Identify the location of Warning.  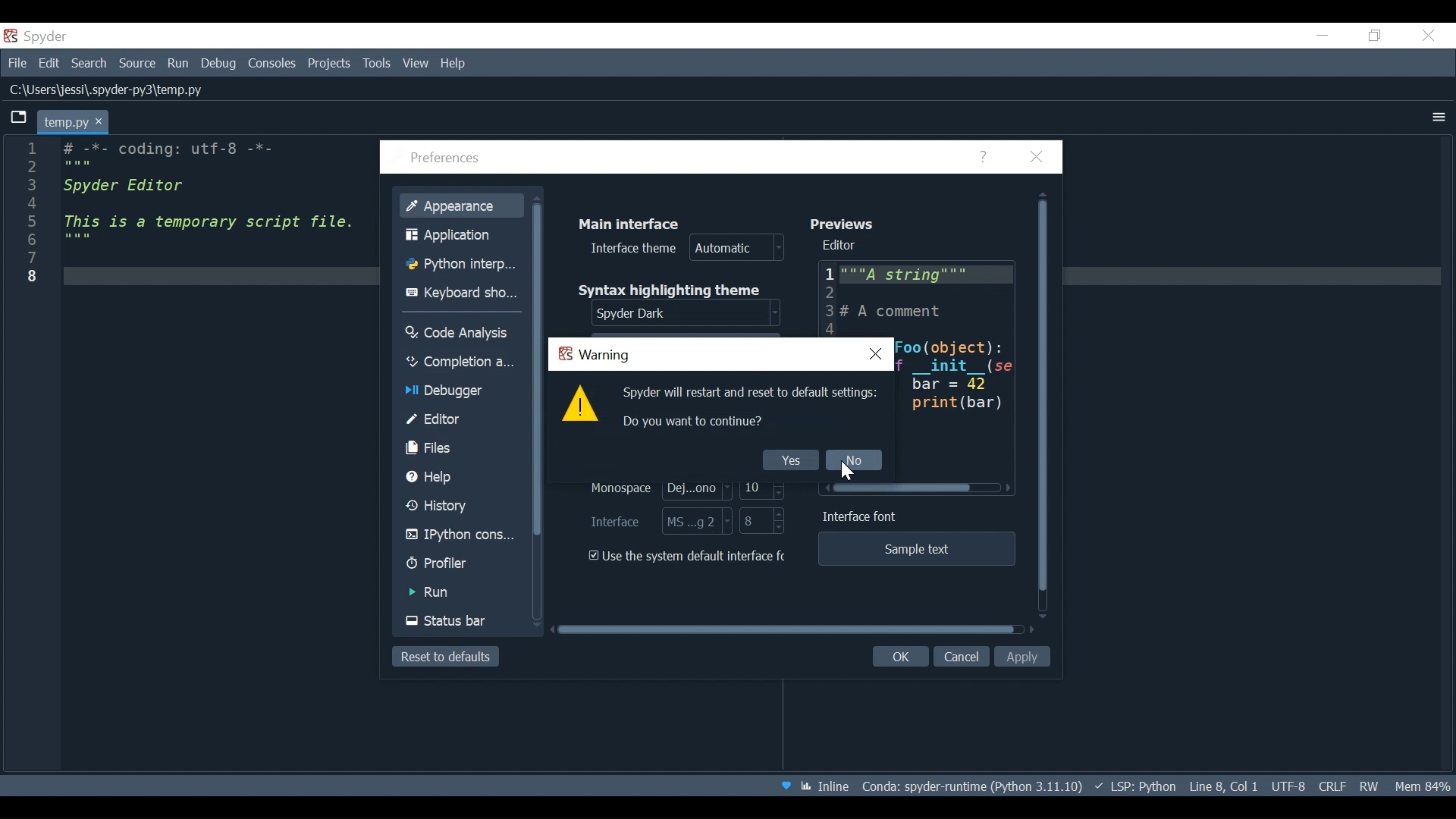
(594, 356).